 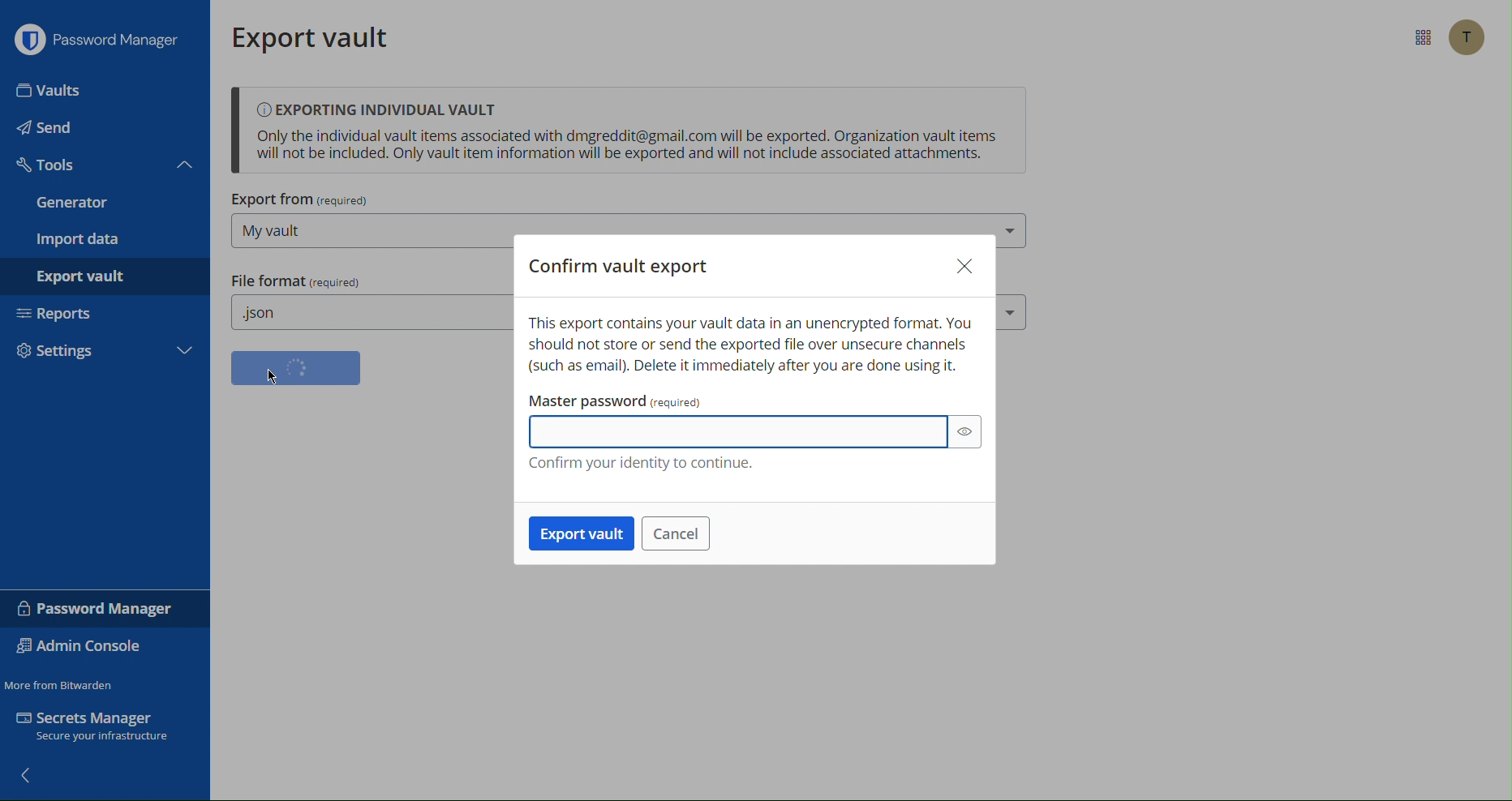 I want to click on Import data, so click(x=105, y=240).